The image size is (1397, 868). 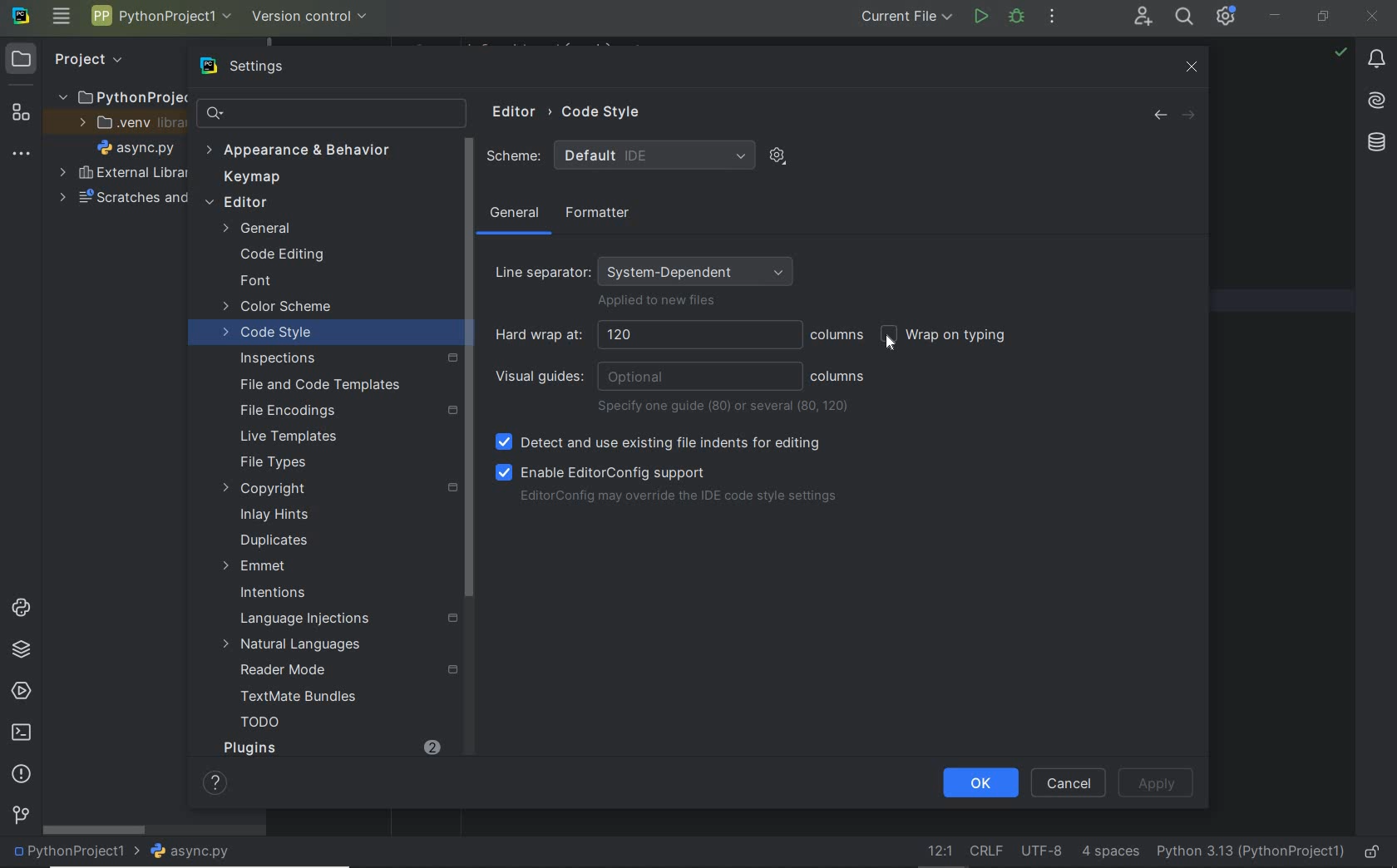 What do you see at coordinates (115, 200) in the screenshot?
I see `scratches and consoles` at bounding box center [115, 200].